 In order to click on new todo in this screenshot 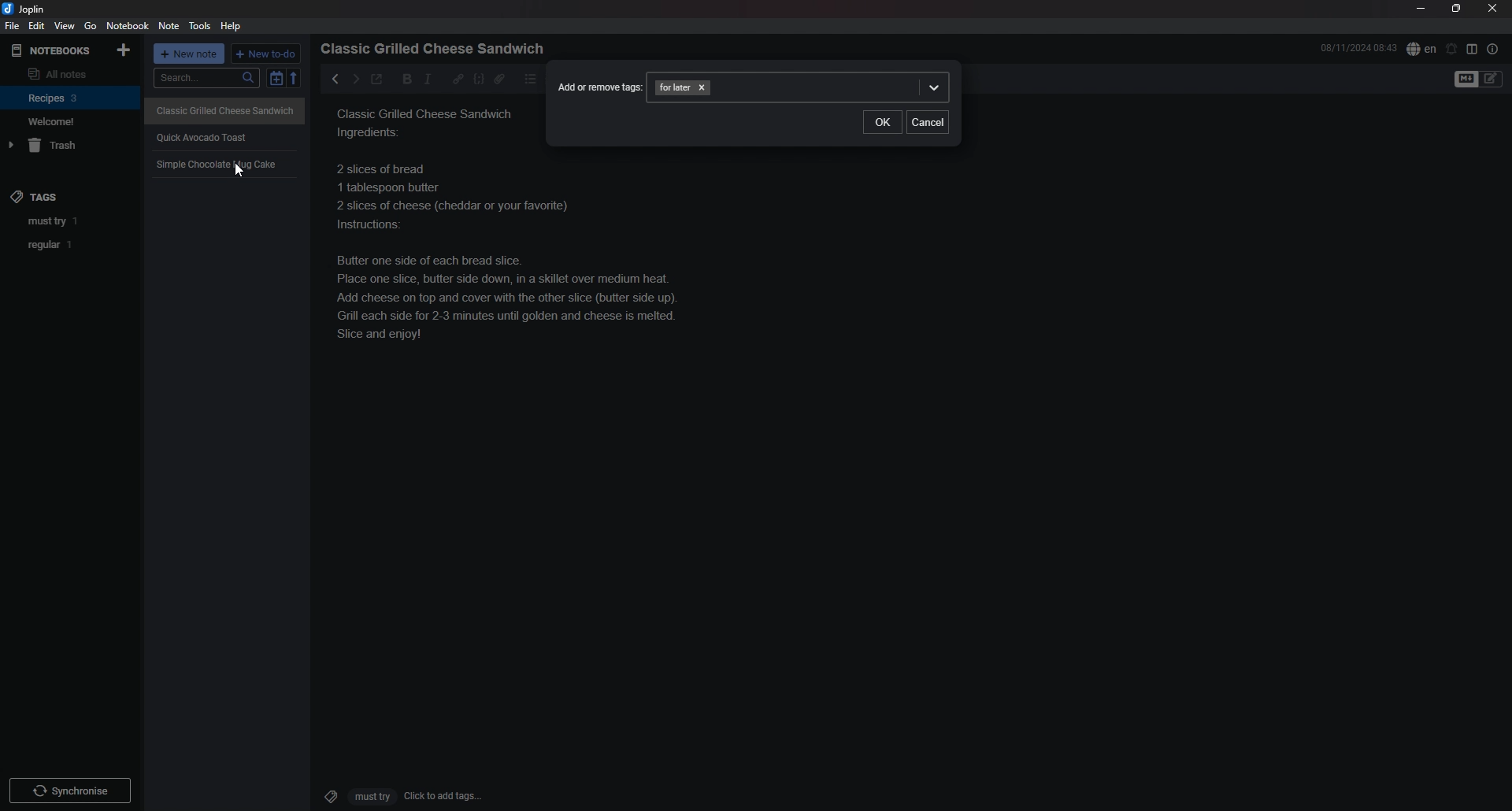, I will do `click(267, 54)`.